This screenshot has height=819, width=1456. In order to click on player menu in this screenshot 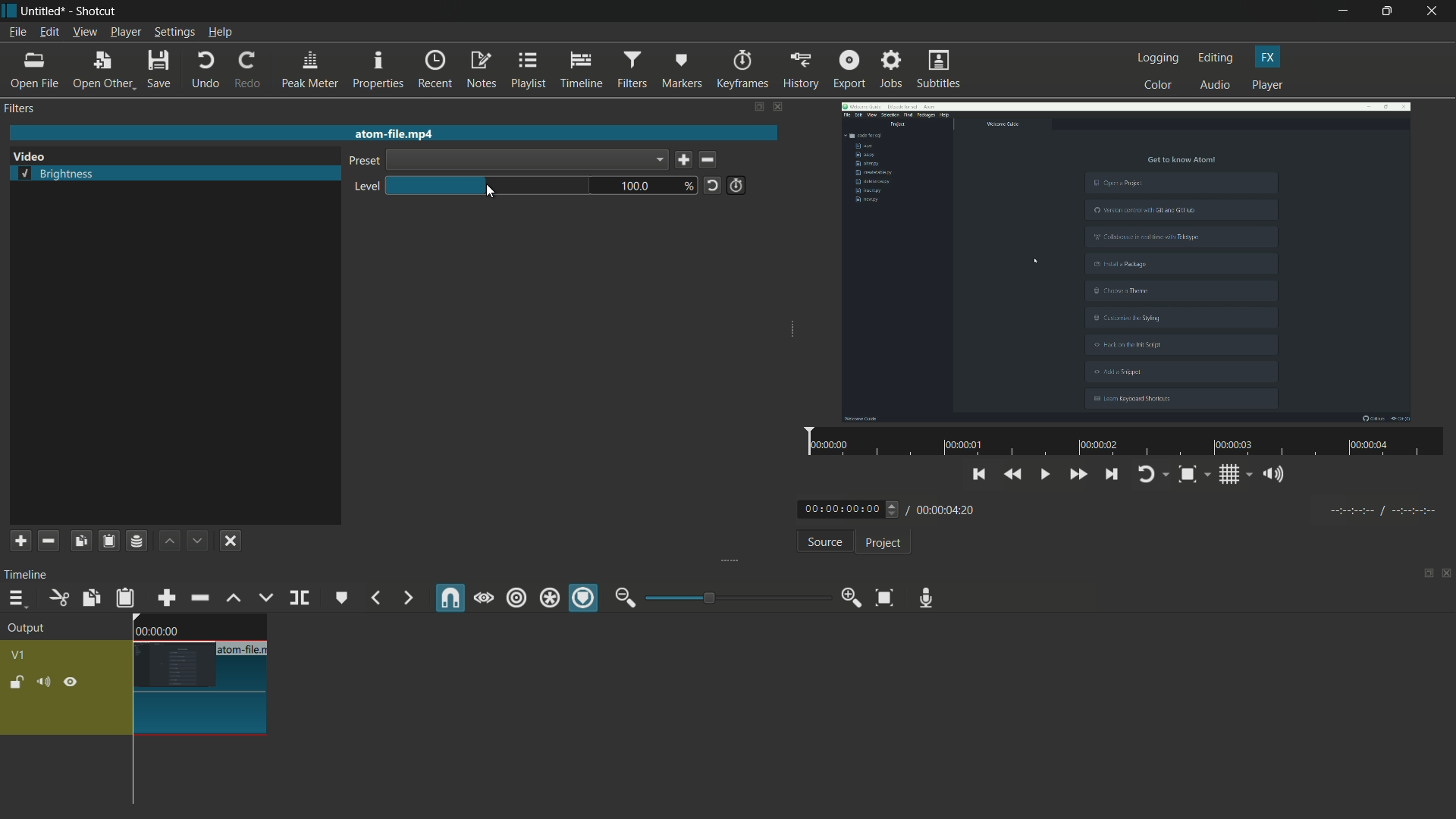, I will do `click(127, 32)`.